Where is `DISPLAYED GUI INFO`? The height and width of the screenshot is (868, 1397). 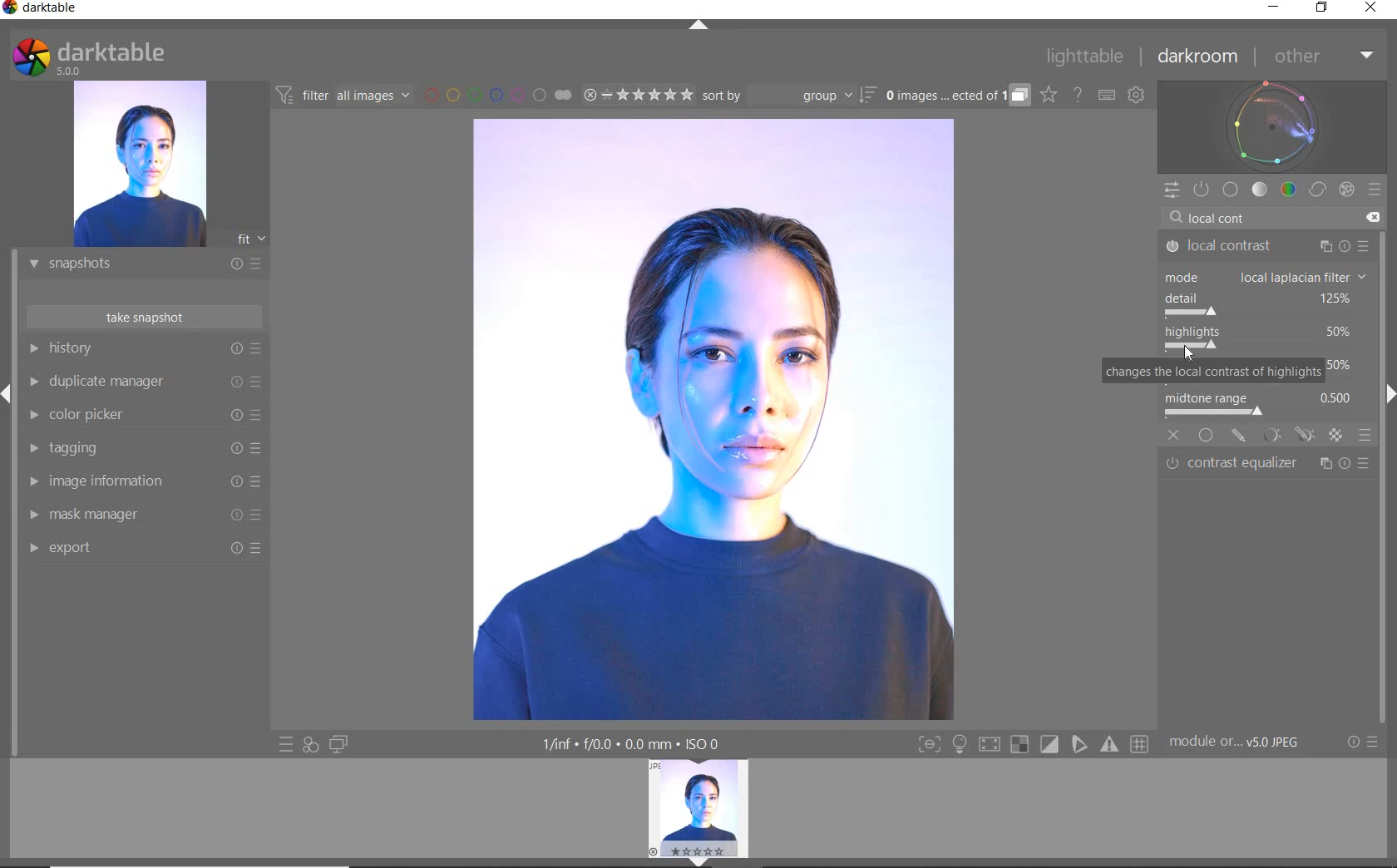 DISPLAYED GUI INFO is located at coordinates (628, 744).